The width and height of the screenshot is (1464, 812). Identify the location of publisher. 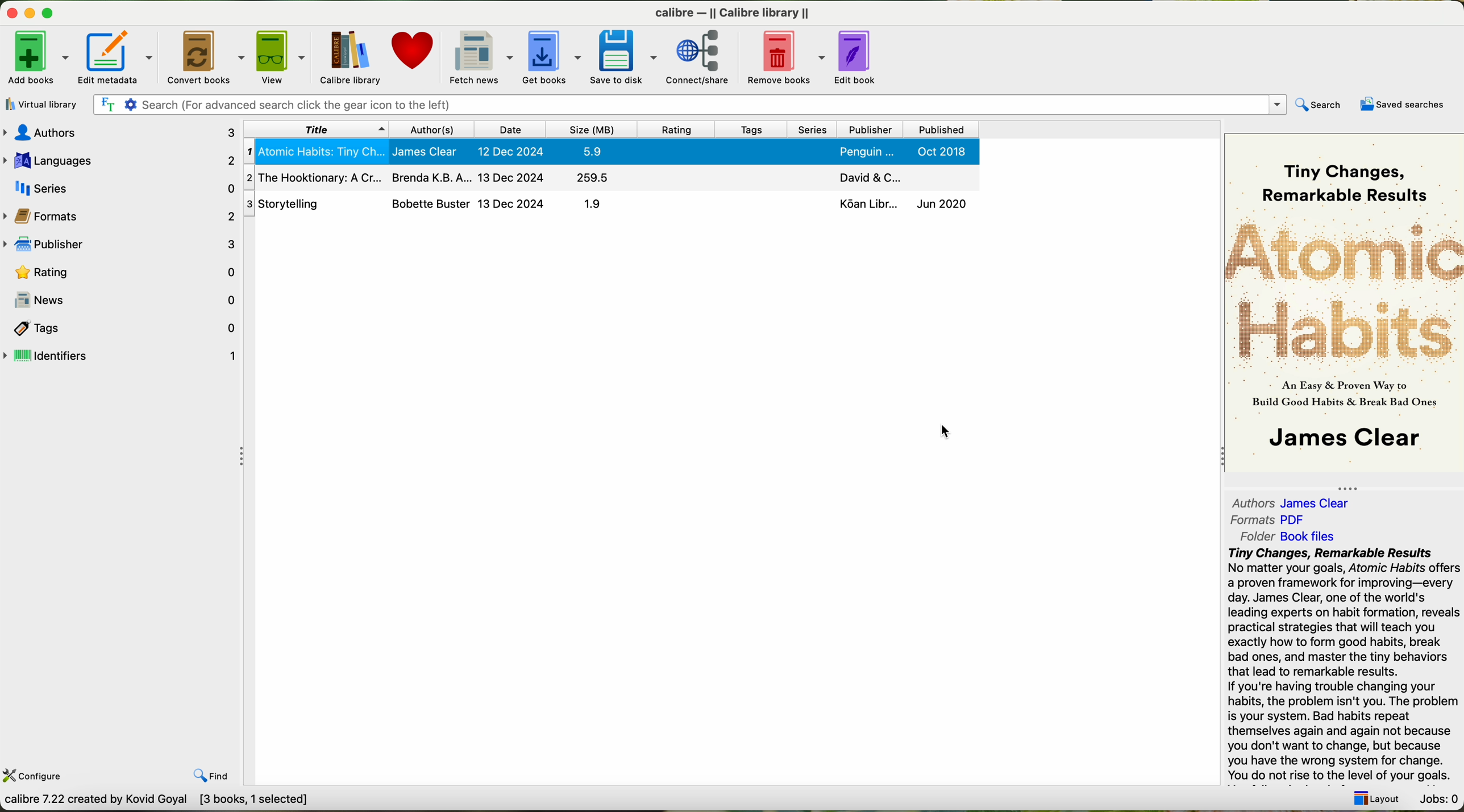
(122, 245).